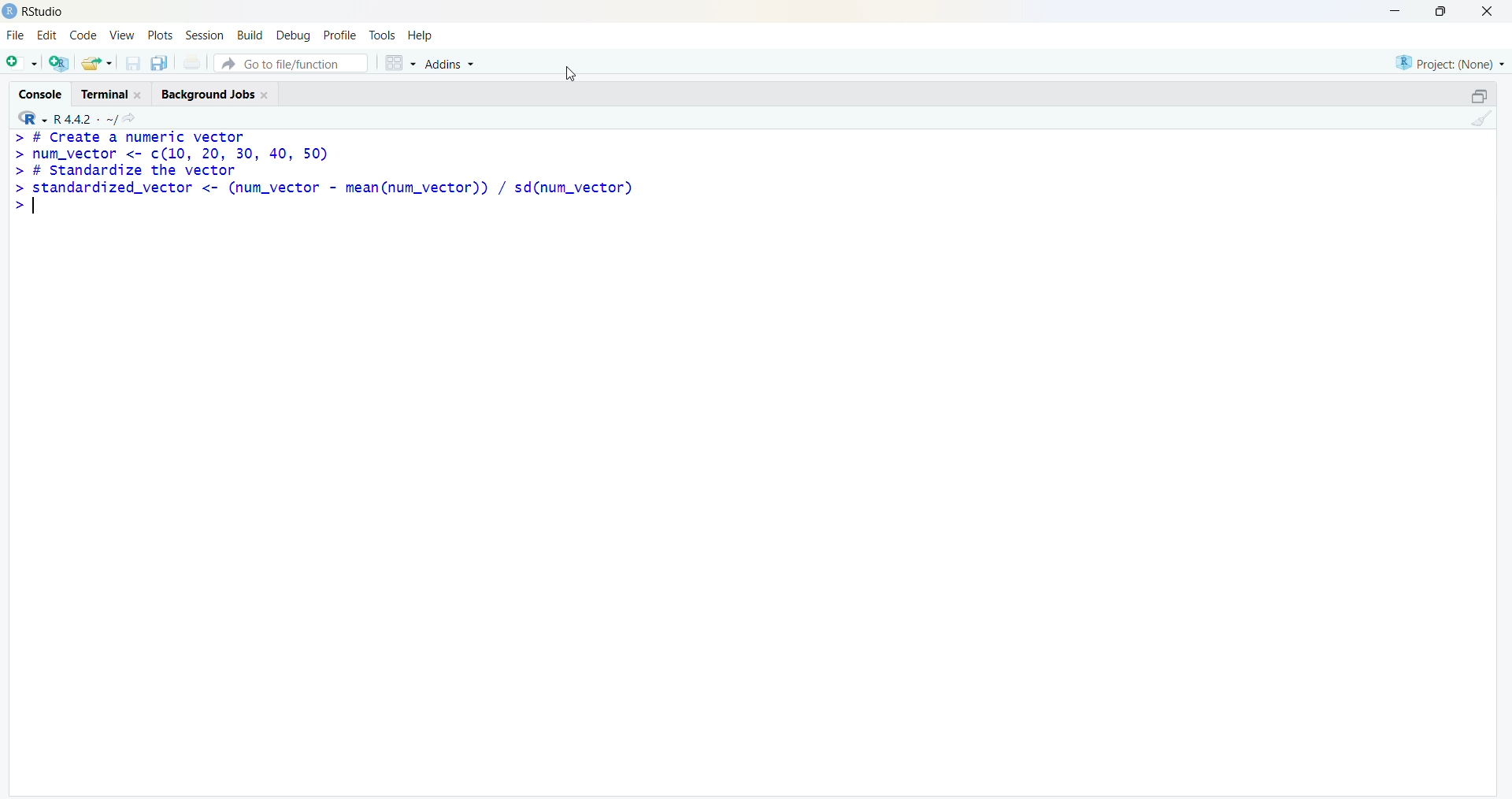 Image resolution: width=1512 pixels, height=799 pixels. Describe the element at coordinates (60, 64) in the screenshot. I see `add R file` at that location.